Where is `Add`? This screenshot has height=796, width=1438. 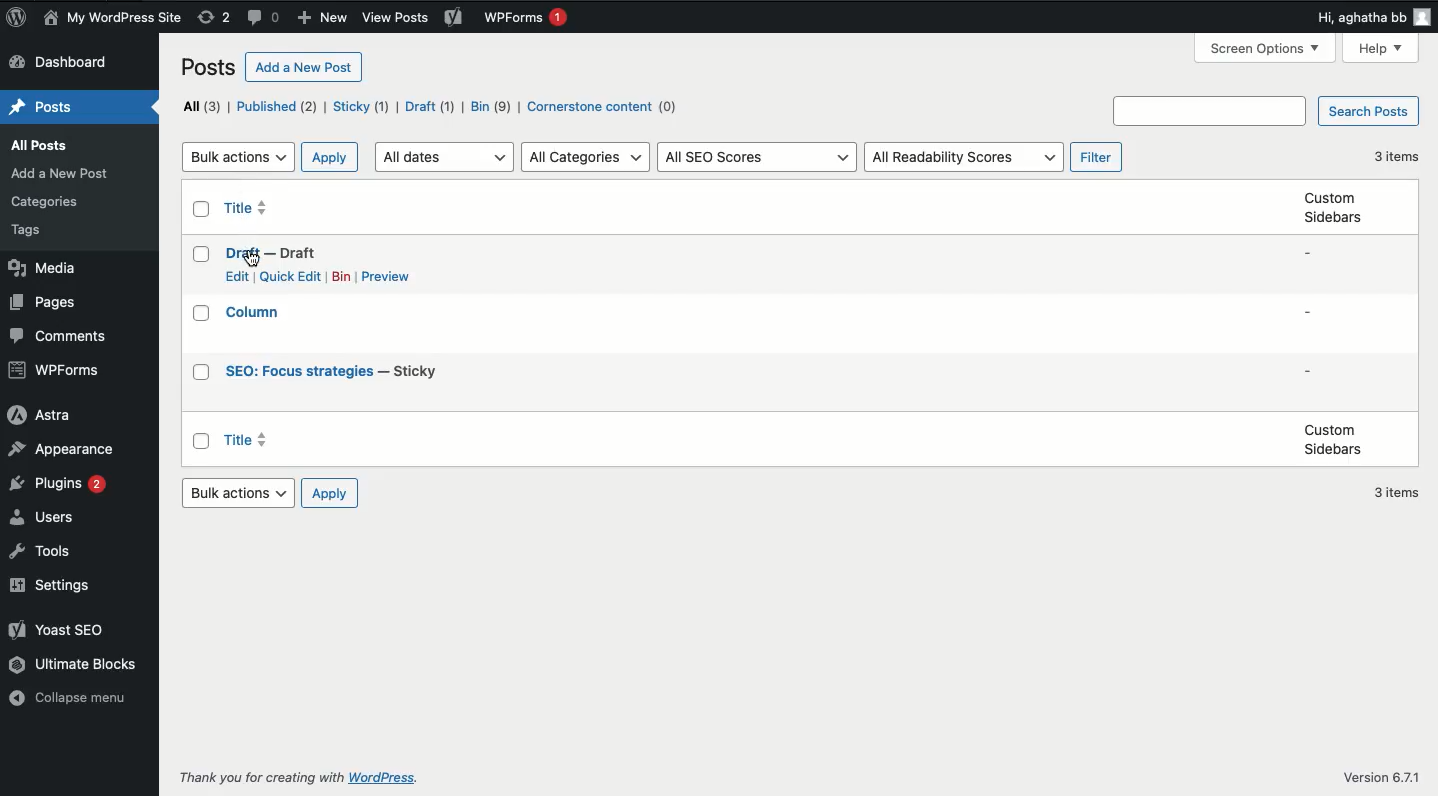
Add is located at coordinates (320, 19).